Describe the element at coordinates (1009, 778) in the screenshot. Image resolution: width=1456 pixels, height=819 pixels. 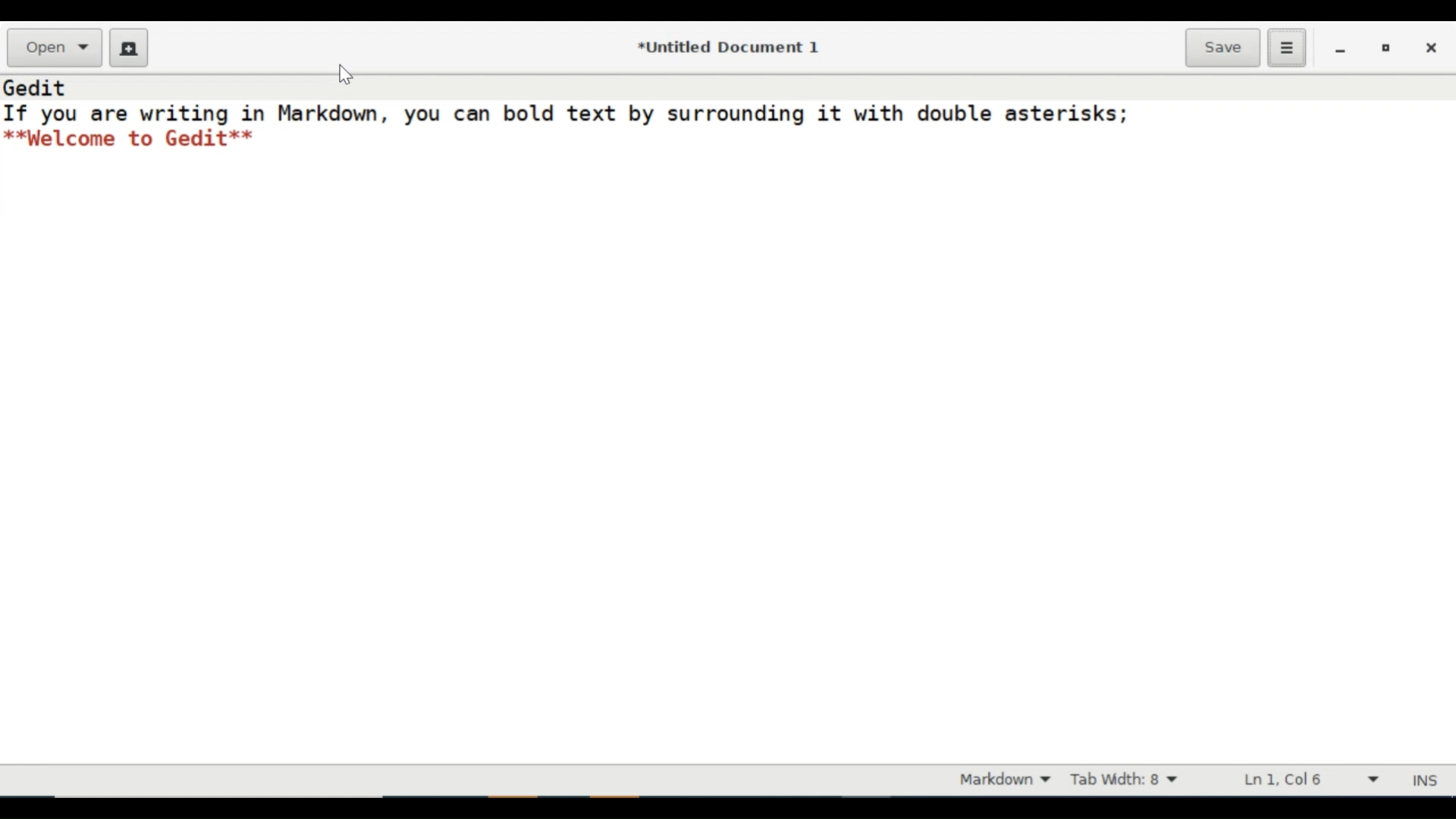
I see `Highlight mode dropdown menu` at that location.